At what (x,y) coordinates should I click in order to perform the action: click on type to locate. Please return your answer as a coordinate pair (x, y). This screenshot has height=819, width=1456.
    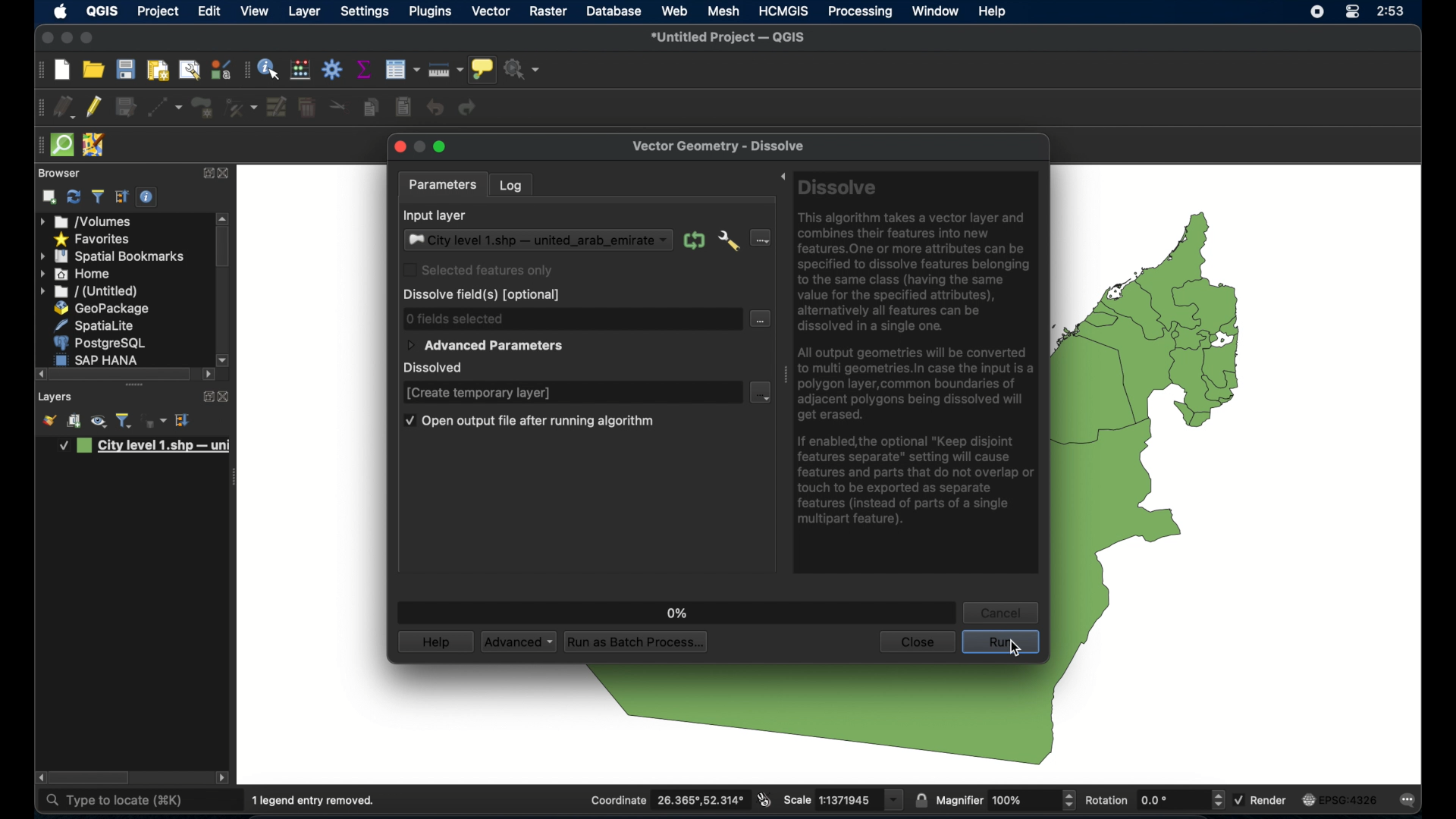
    Looking at the image, I should click on (113, 801).